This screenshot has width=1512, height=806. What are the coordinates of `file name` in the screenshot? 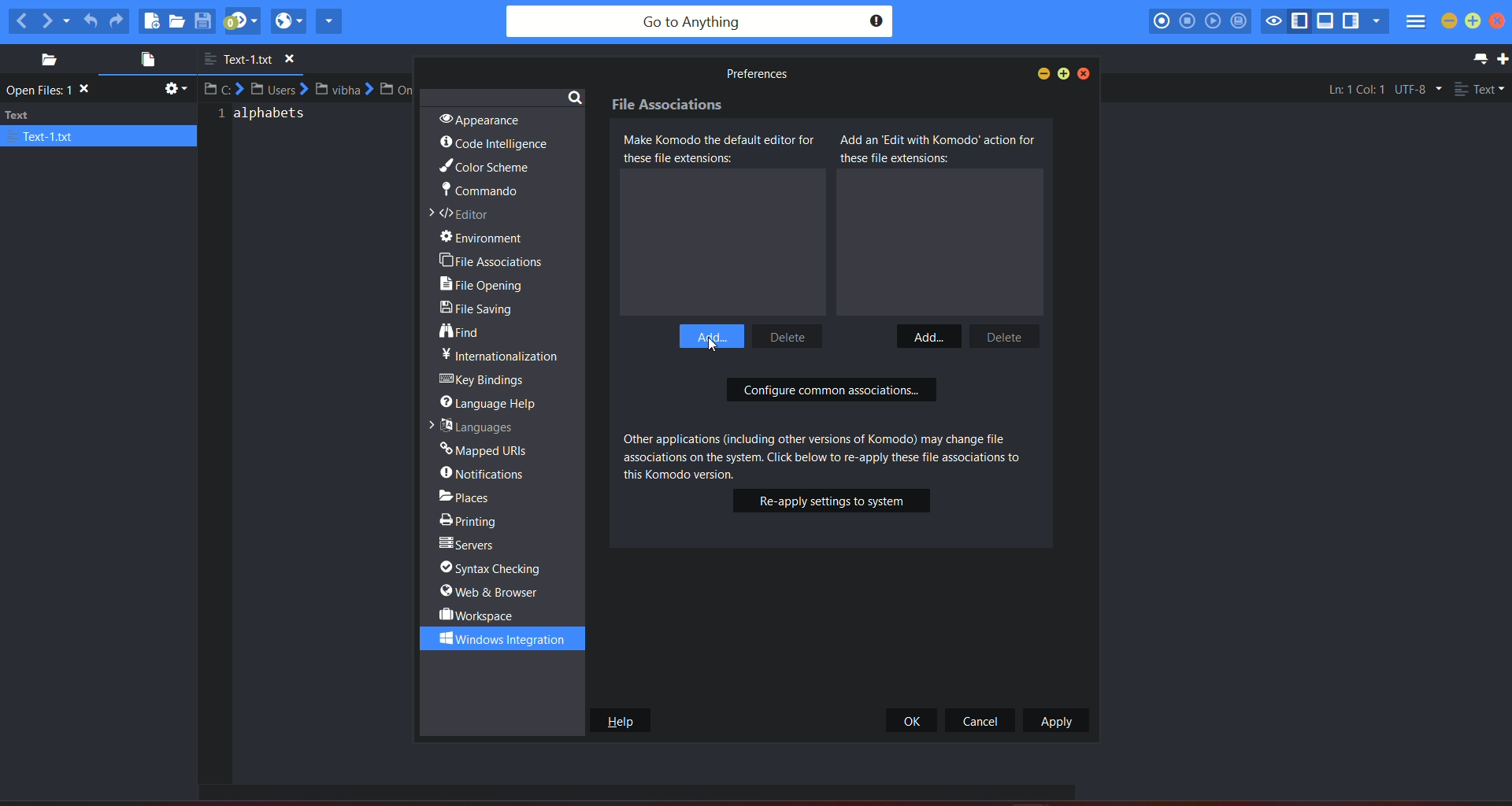 It's located at (256, 60).